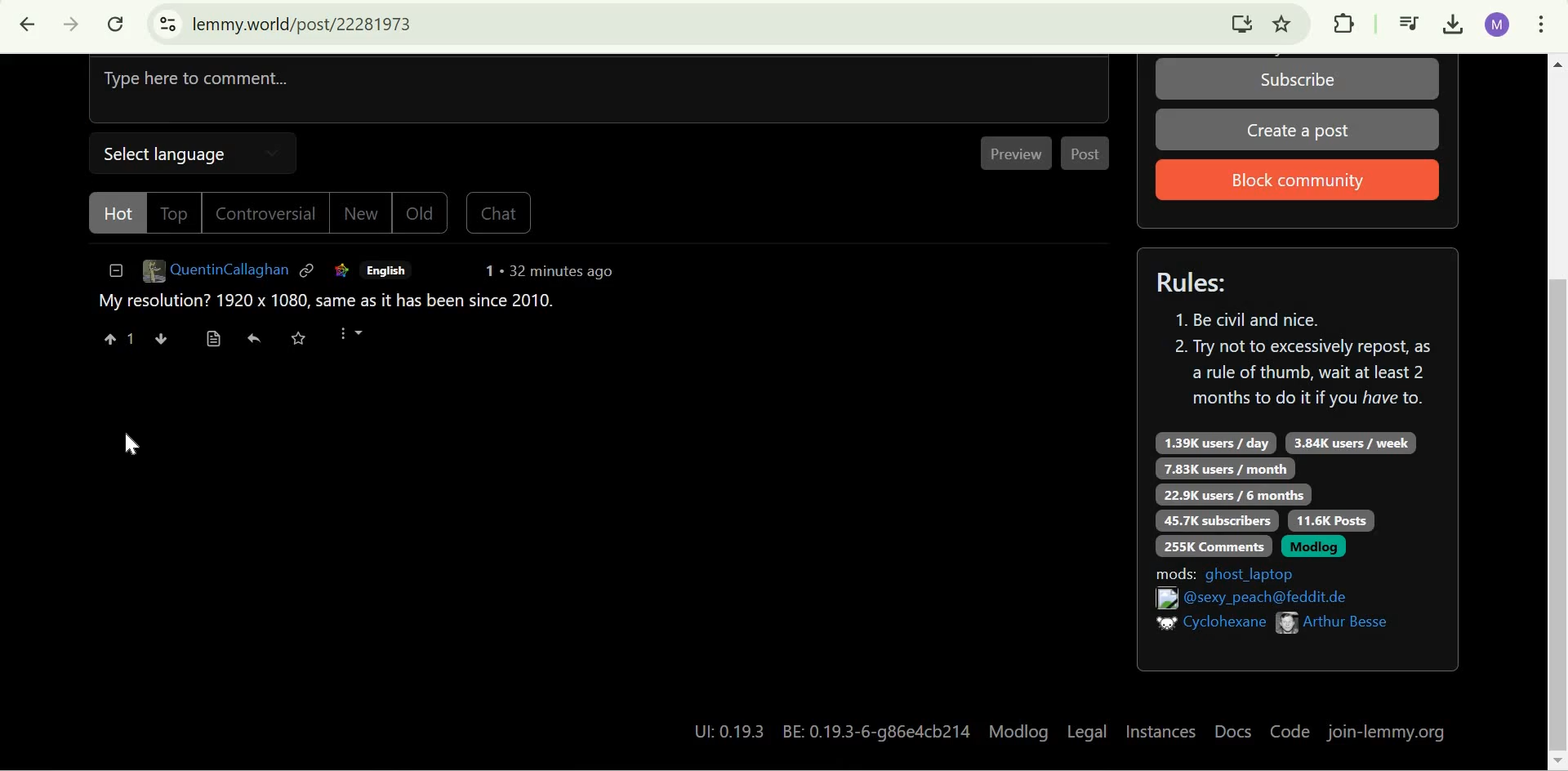  I want to click on BE: 0.19.3-6-g86e4cb214, so click(879, 729).